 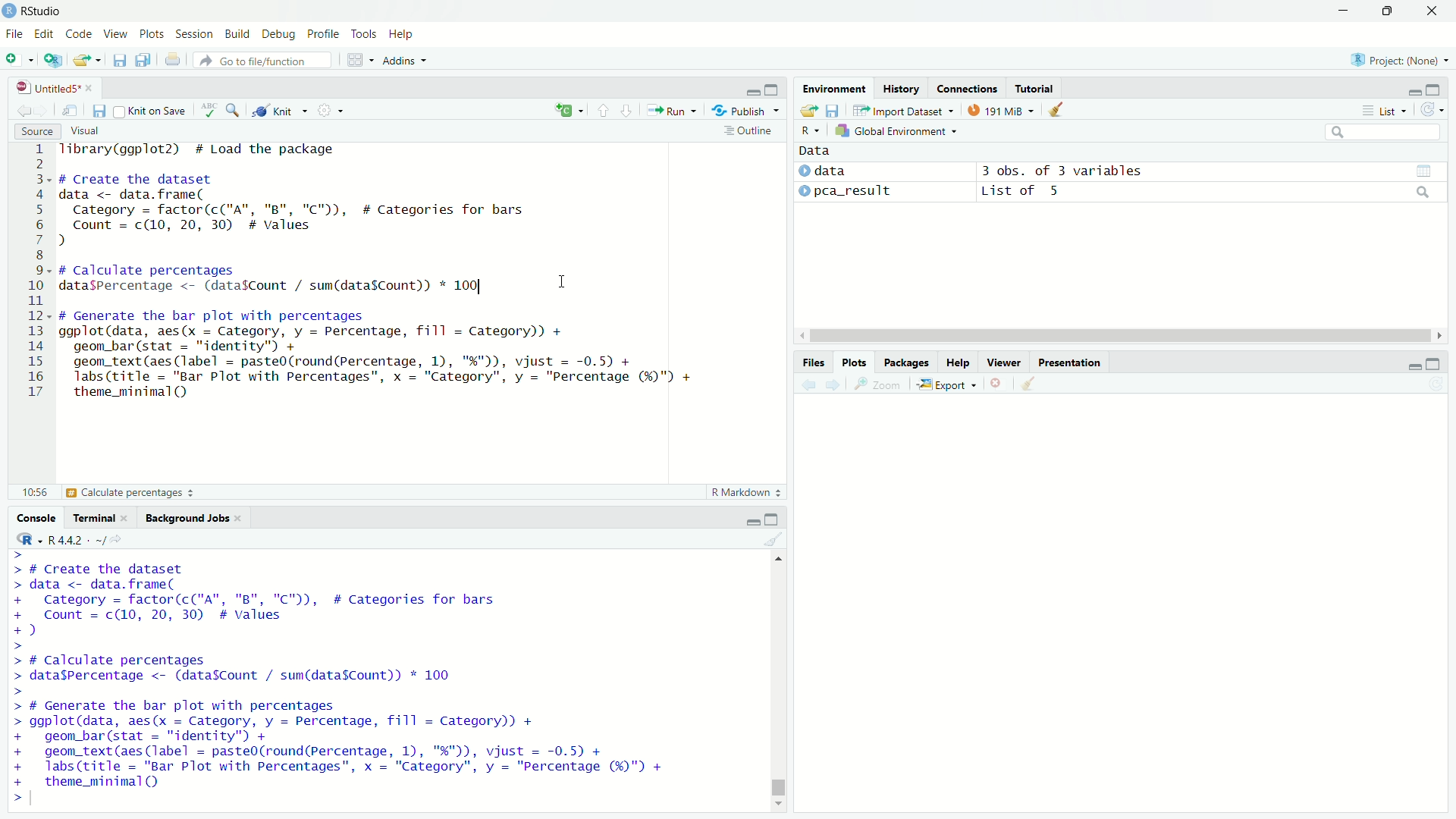 I want to click on new file, so click(x=19, y=61).